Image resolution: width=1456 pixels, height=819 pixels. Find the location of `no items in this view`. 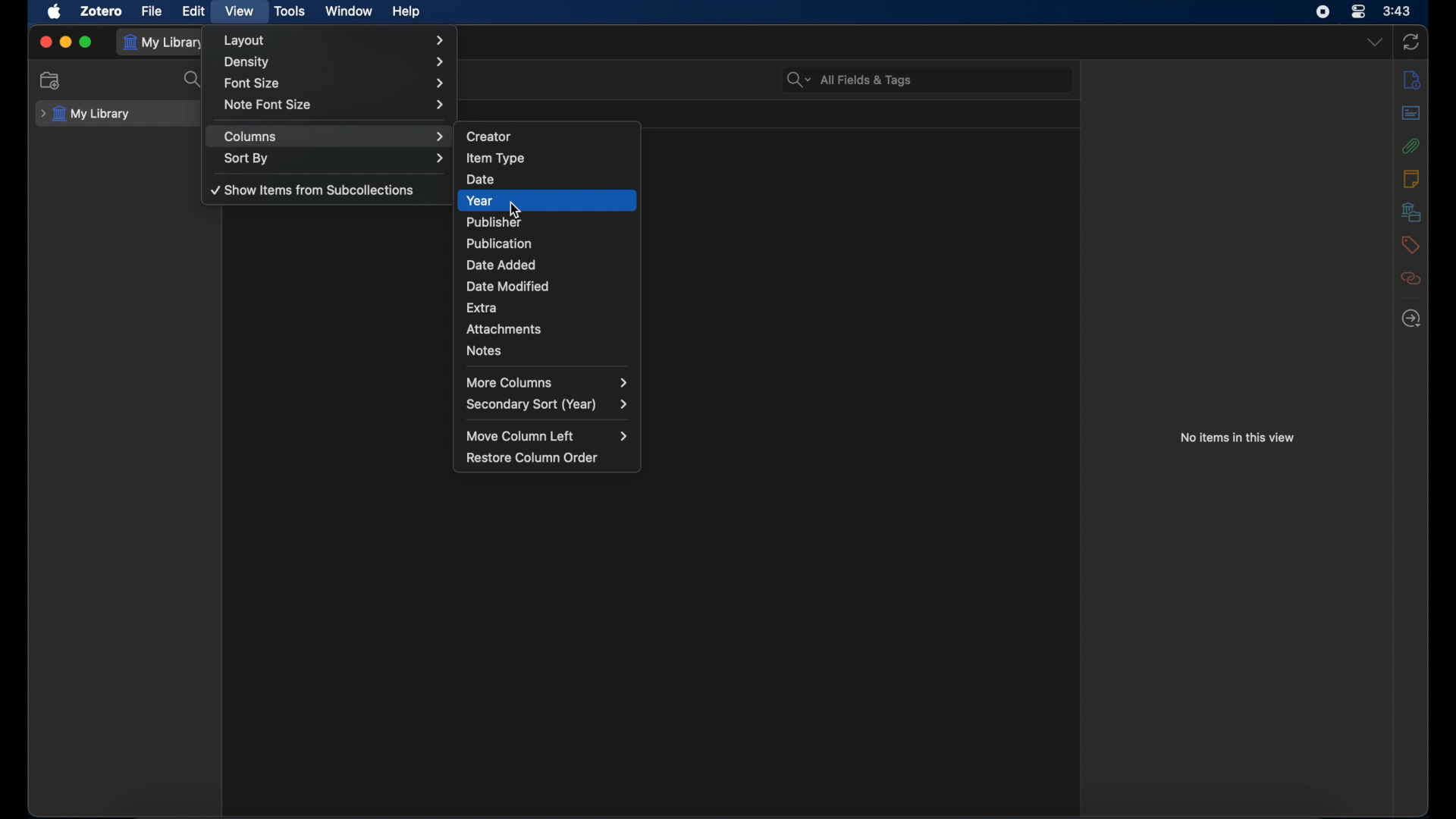

no items in this view is located at coordinates (1238, 437).